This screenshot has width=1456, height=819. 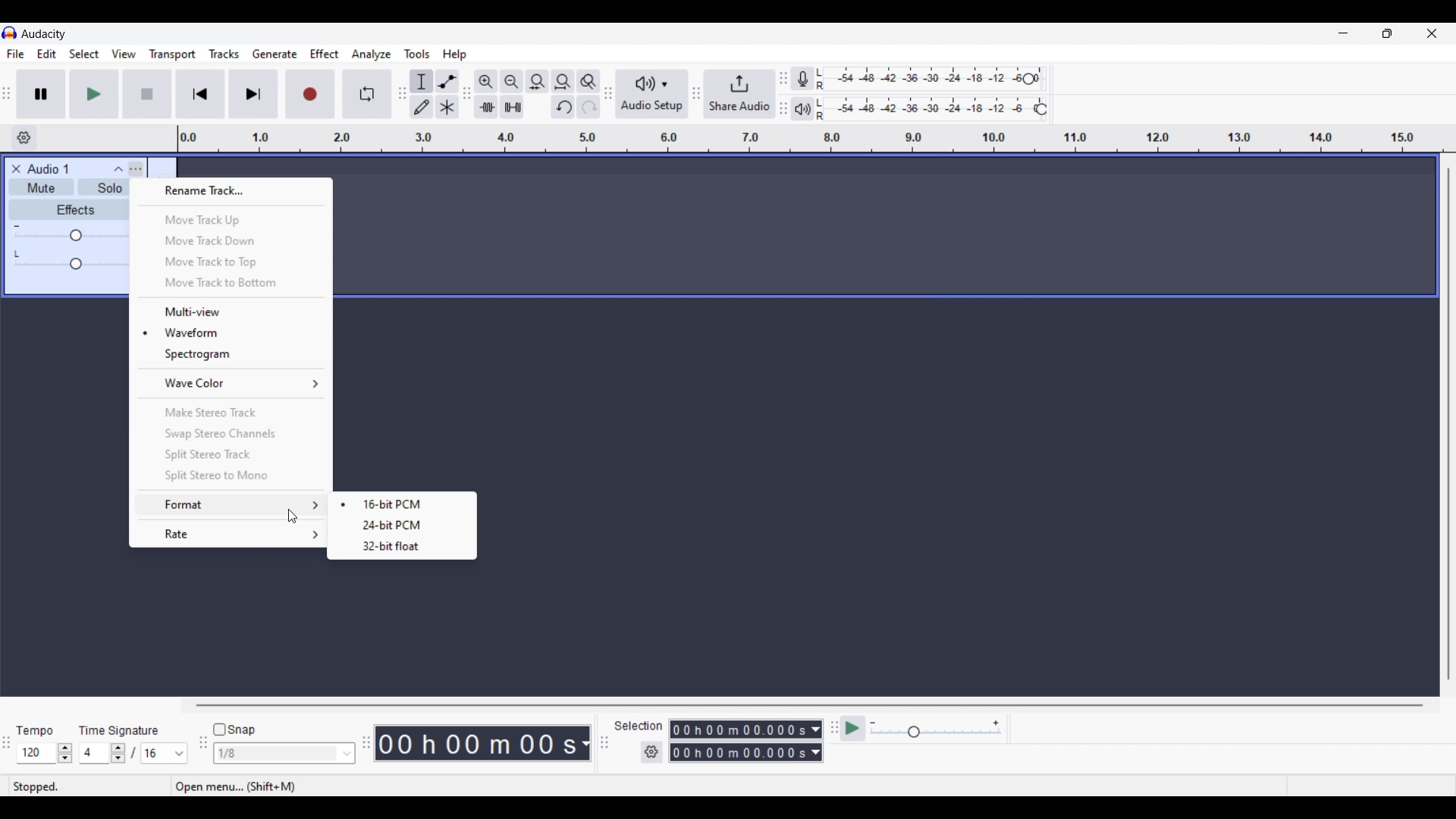 What do you see at coordinates (15, 54) in the screenshot?
I see `File menu` at bounding box center [15, 54].